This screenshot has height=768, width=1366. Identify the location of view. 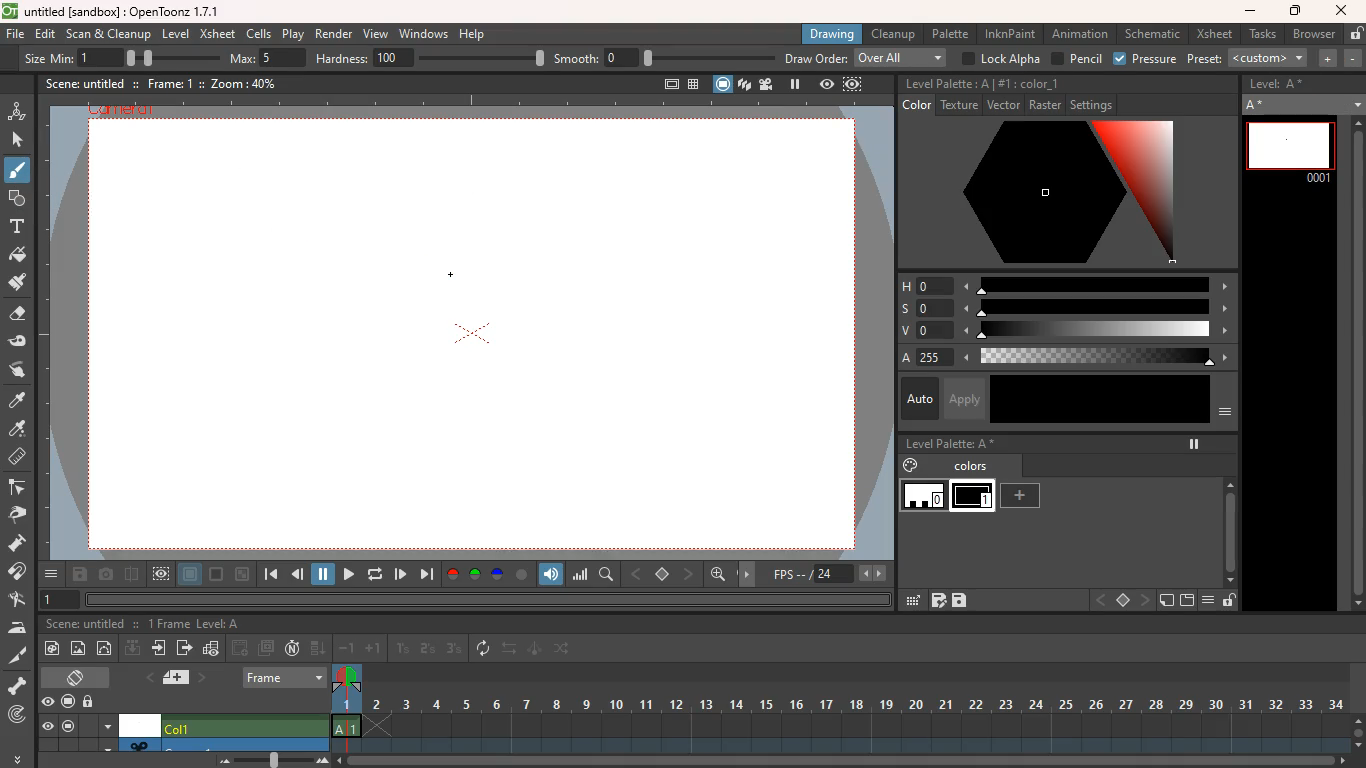
(825, 85).